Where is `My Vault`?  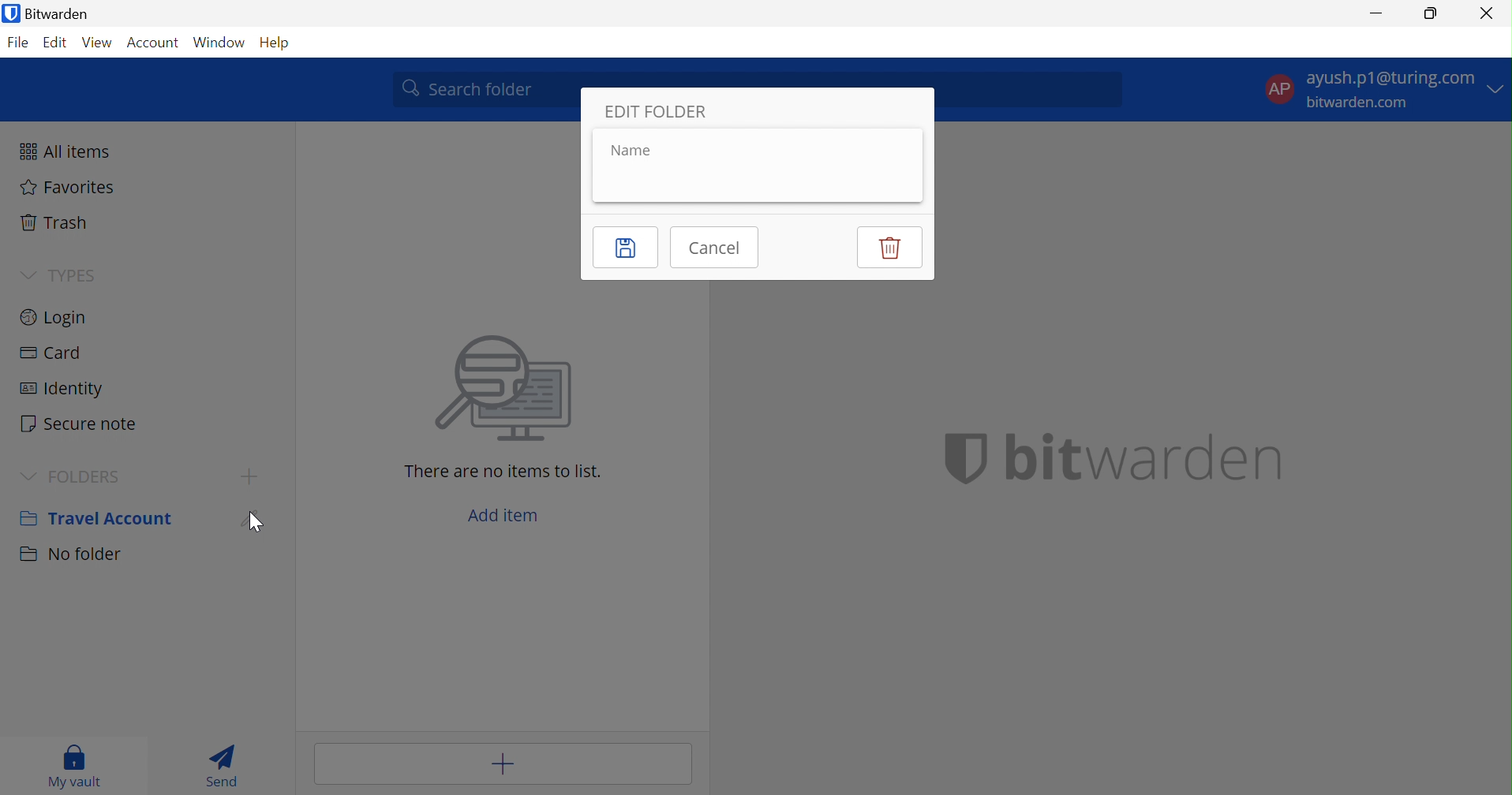
My Vault is located at coordinates (78, 768).